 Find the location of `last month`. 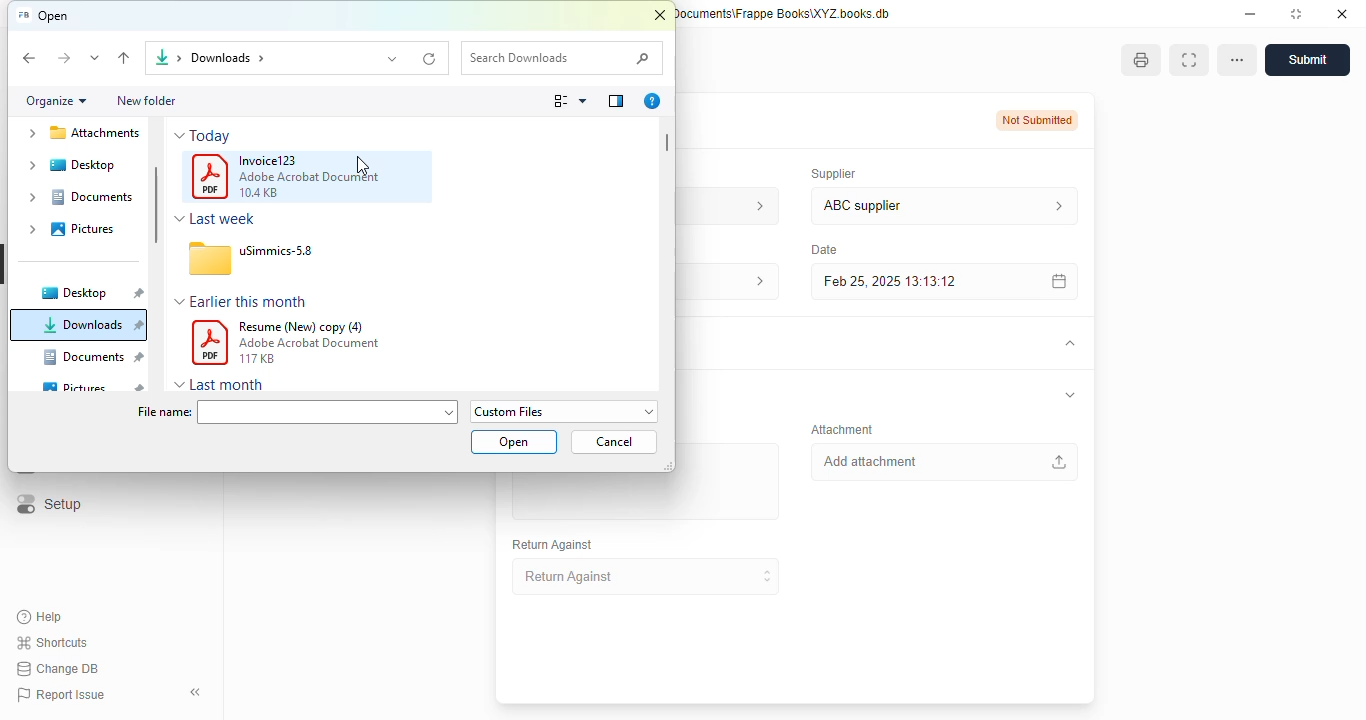

last month is located at coordinates (228, 384).